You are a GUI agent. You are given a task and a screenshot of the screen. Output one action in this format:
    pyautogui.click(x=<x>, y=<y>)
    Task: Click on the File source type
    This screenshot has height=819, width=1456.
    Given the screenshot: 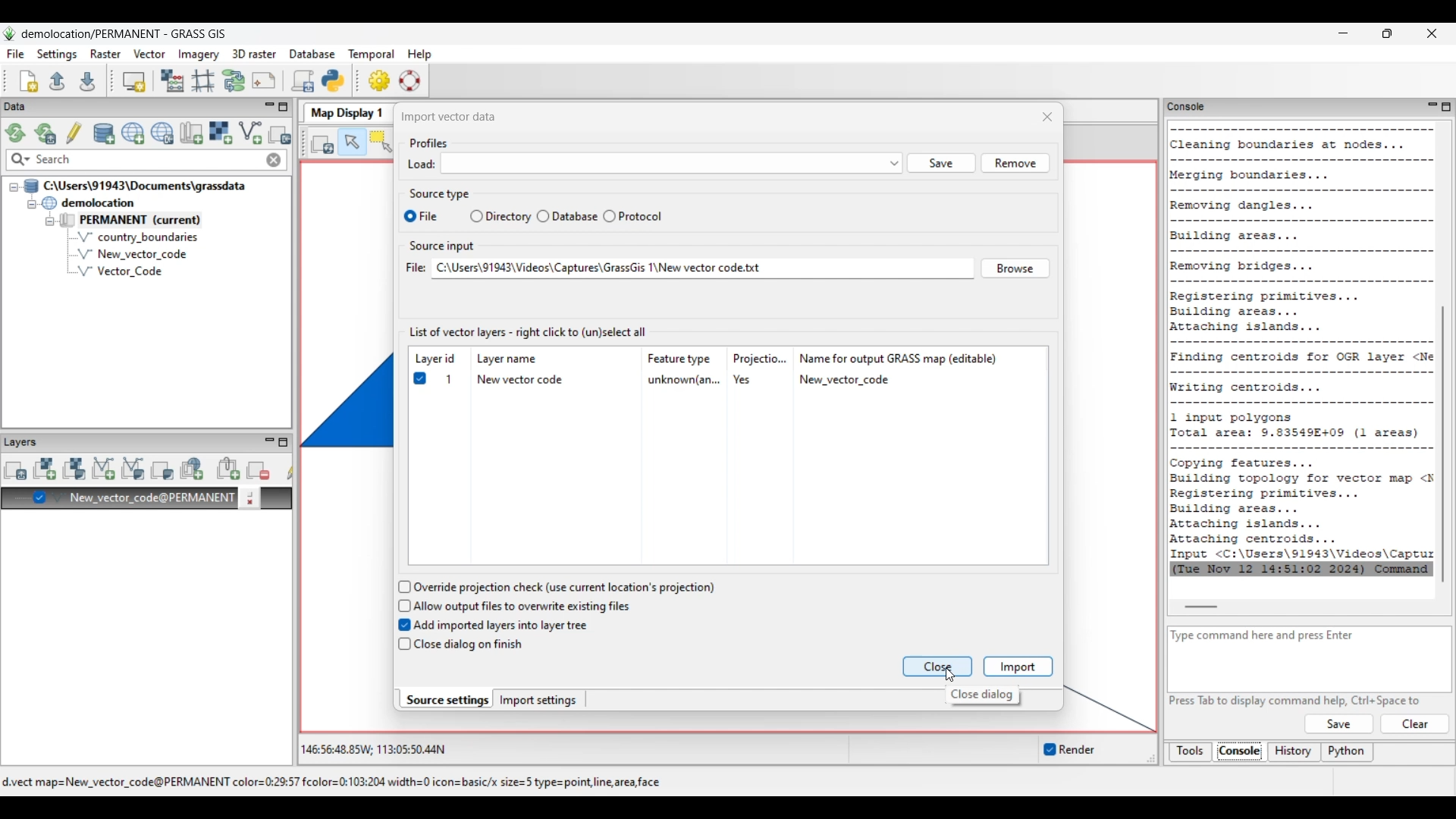 What is the action you would take?
    pyautogui.click(x=435, y=217)
    